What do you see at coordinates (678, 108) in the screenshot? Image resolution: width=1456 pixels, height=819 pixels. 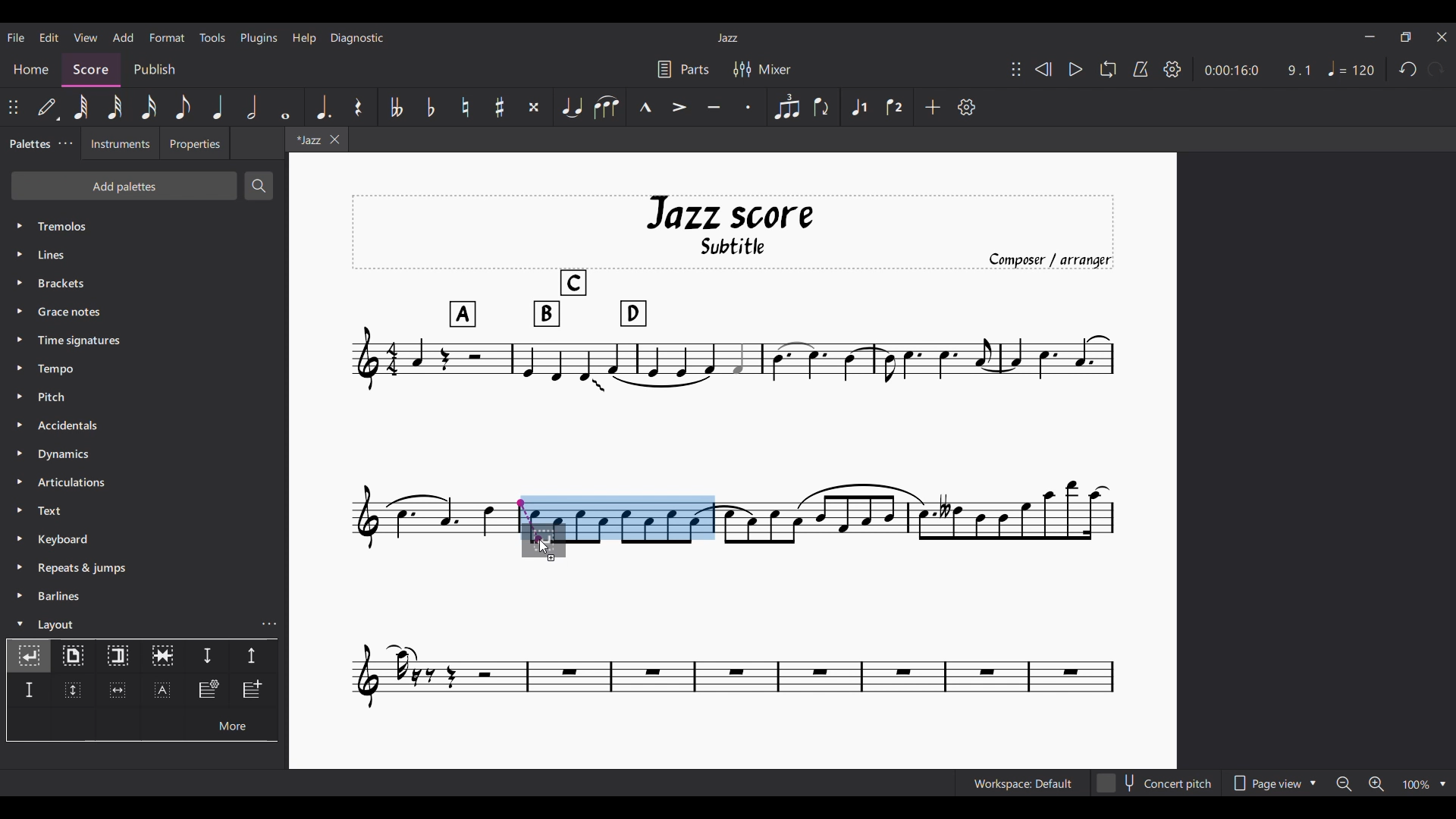 I see `Accent` at bounding box center [678, 108].